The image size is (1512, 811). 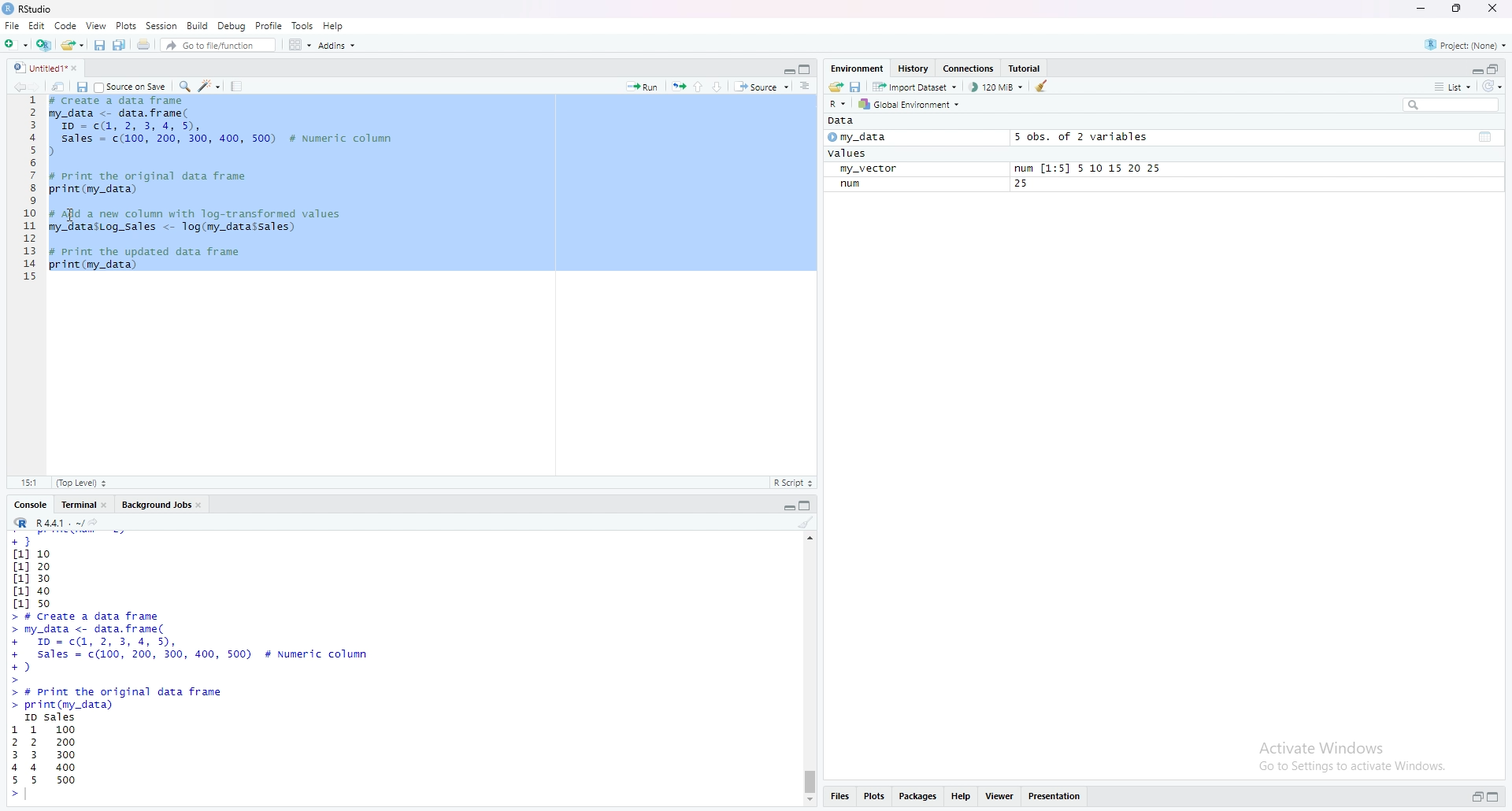 What do you see at coordinates (233, 25) in the screenshot?
I see `Debug` at bounding box center [233, 25].